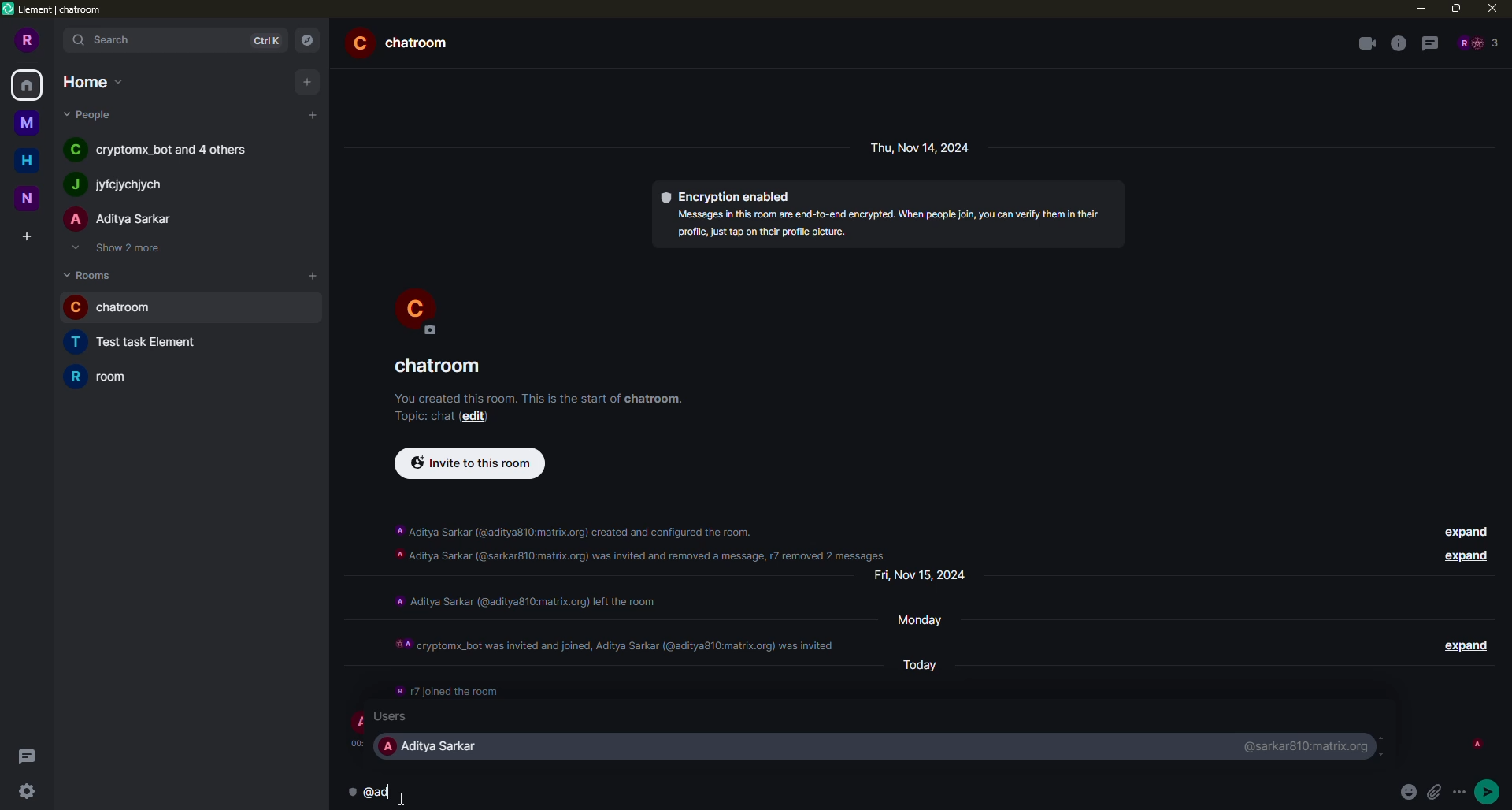  I want to click on expand, so click(1463, 643).